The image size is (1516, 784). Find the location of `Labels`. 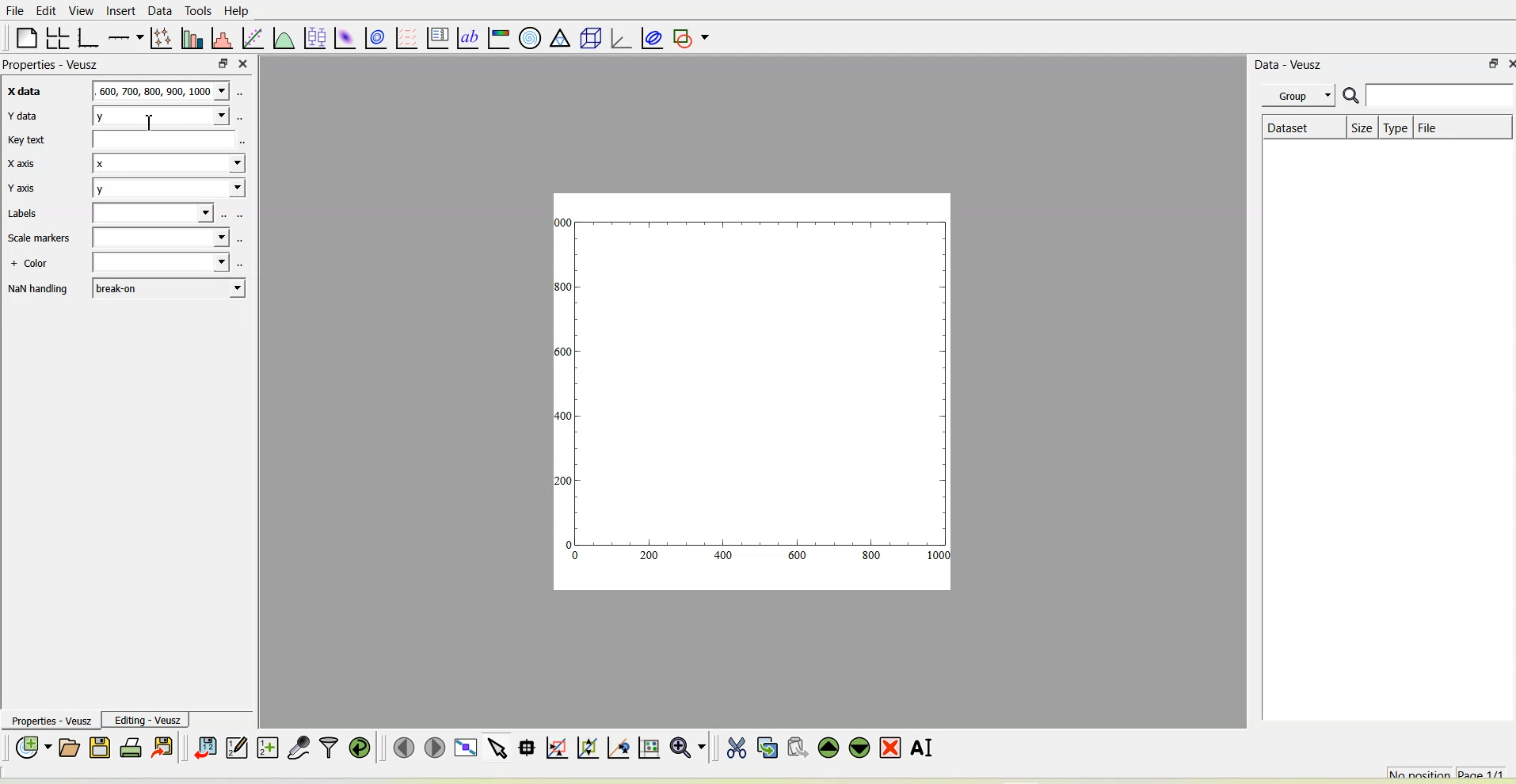

Labels is located at coordinates (23, 213).